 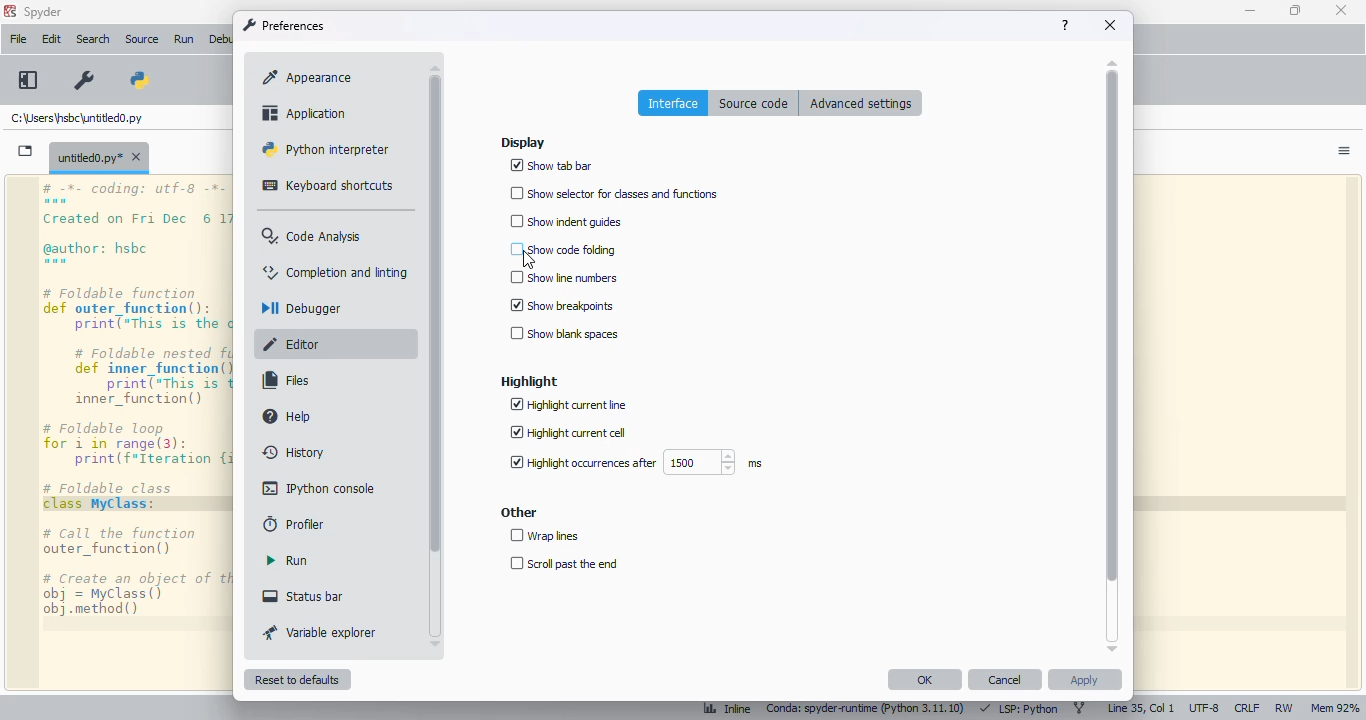 I want to click on inline, so click(x=719, y=710).